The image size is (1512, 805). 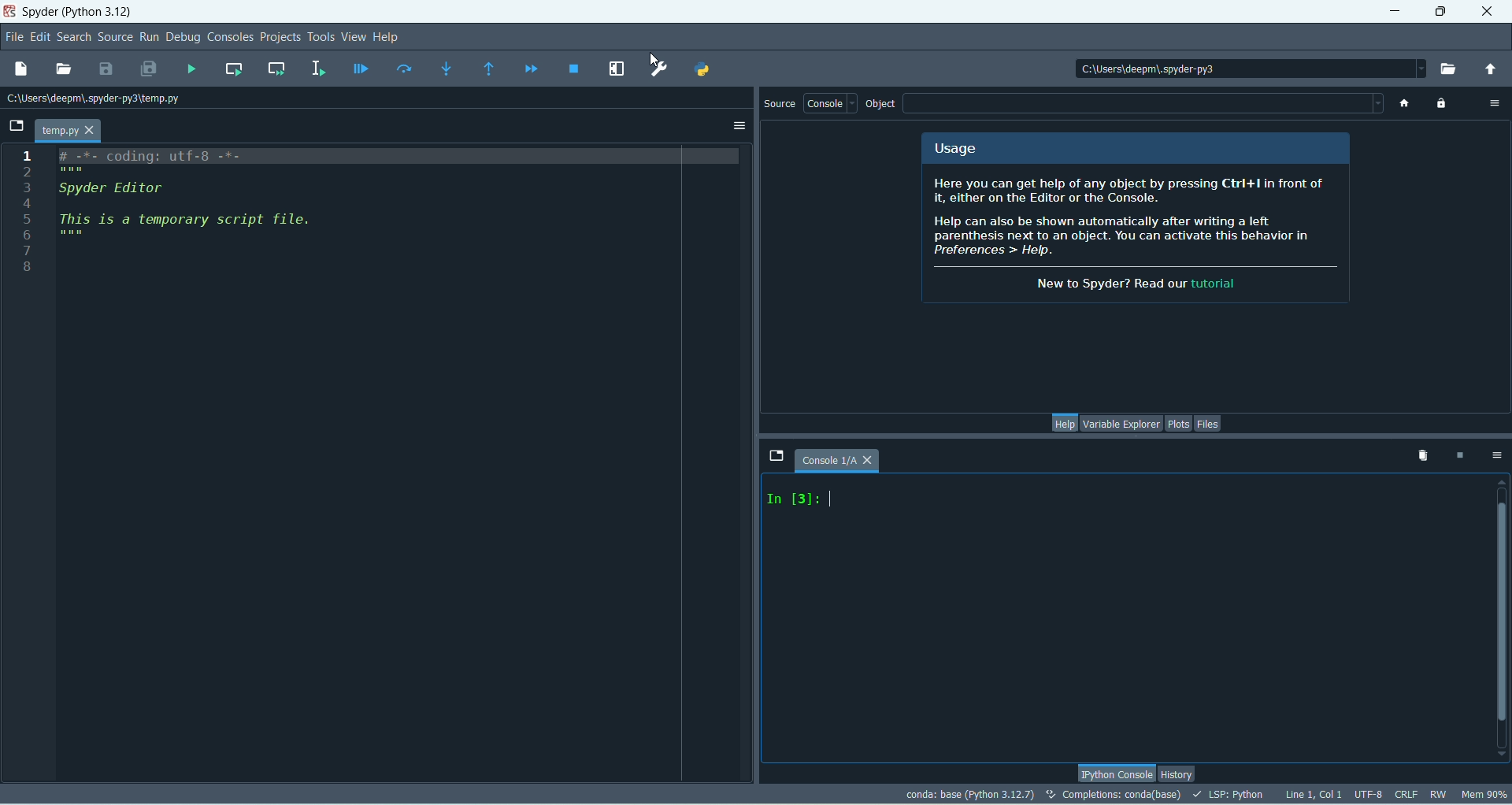 I want to click on lock, so click(x=1443, y=105).